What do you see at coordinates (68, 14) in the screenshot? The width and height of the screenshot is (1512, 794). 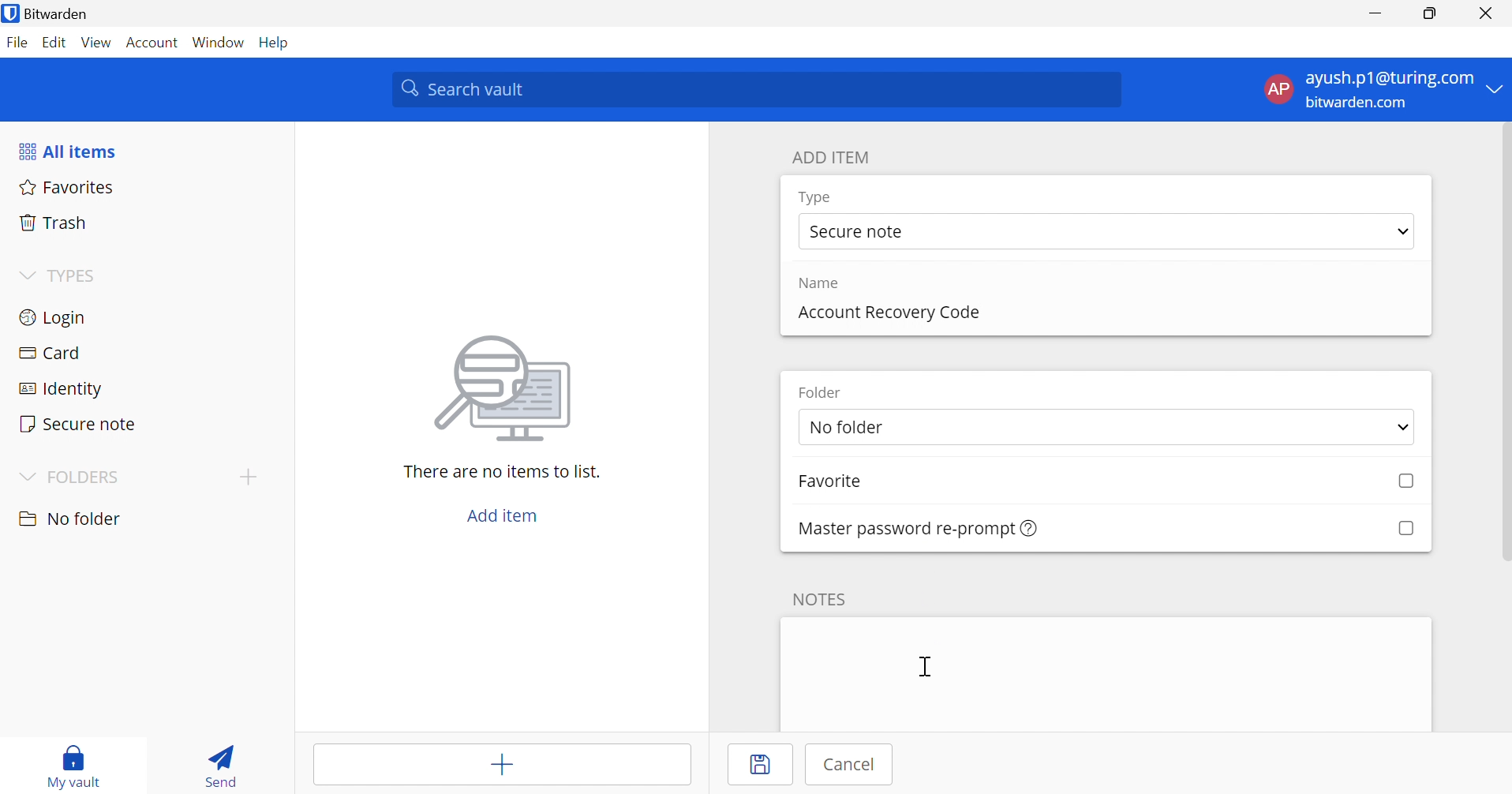 I see `Bitwarden` at bounding box center [68, 14].